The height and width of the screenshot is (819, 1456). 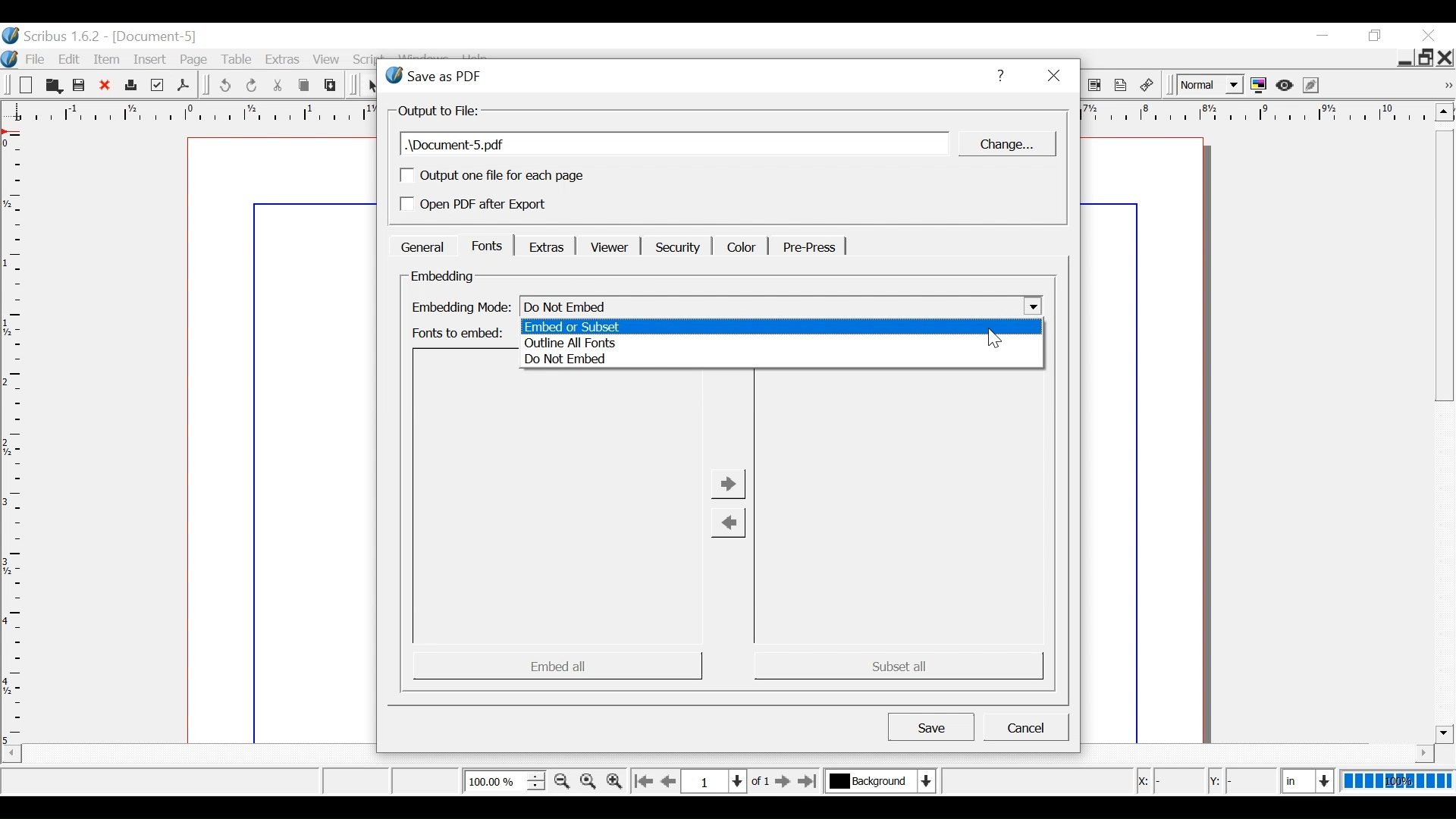 I want to click on Reset Zoom, so click(x=589, y=780).